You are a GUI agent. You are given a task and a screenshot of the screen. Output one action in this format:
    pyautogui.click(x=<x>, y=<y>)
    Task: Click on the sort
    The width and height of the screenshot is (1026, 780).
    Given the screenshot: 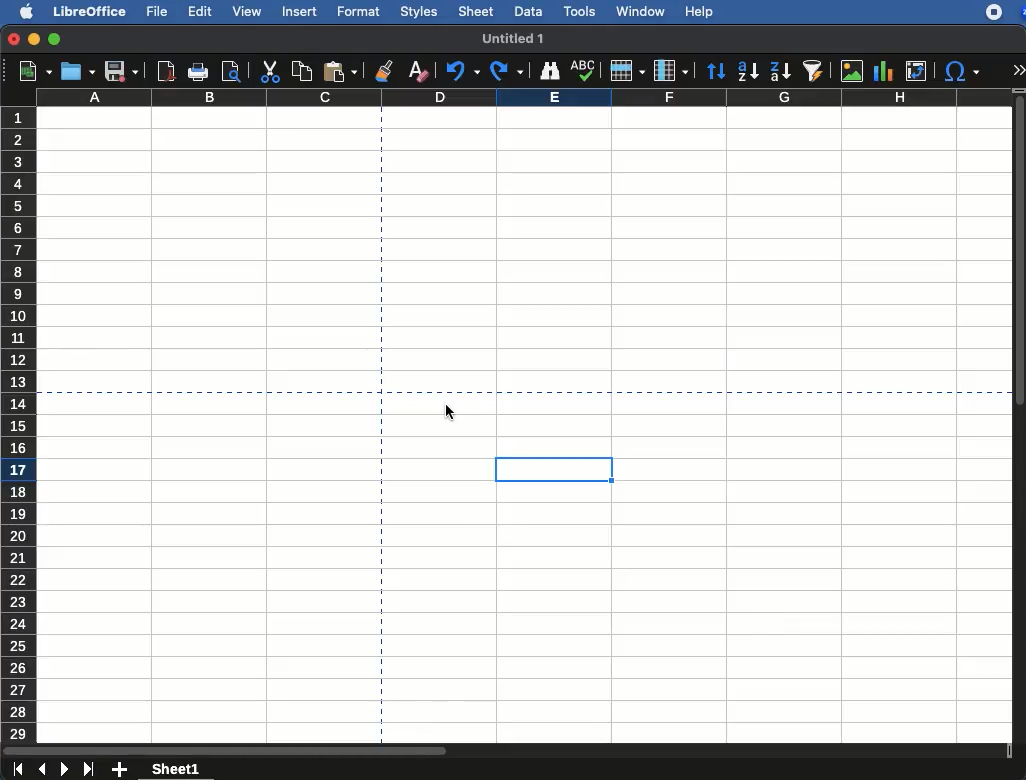 What is the action you would take?
    pyautogui.click(x=717, y=70)
    